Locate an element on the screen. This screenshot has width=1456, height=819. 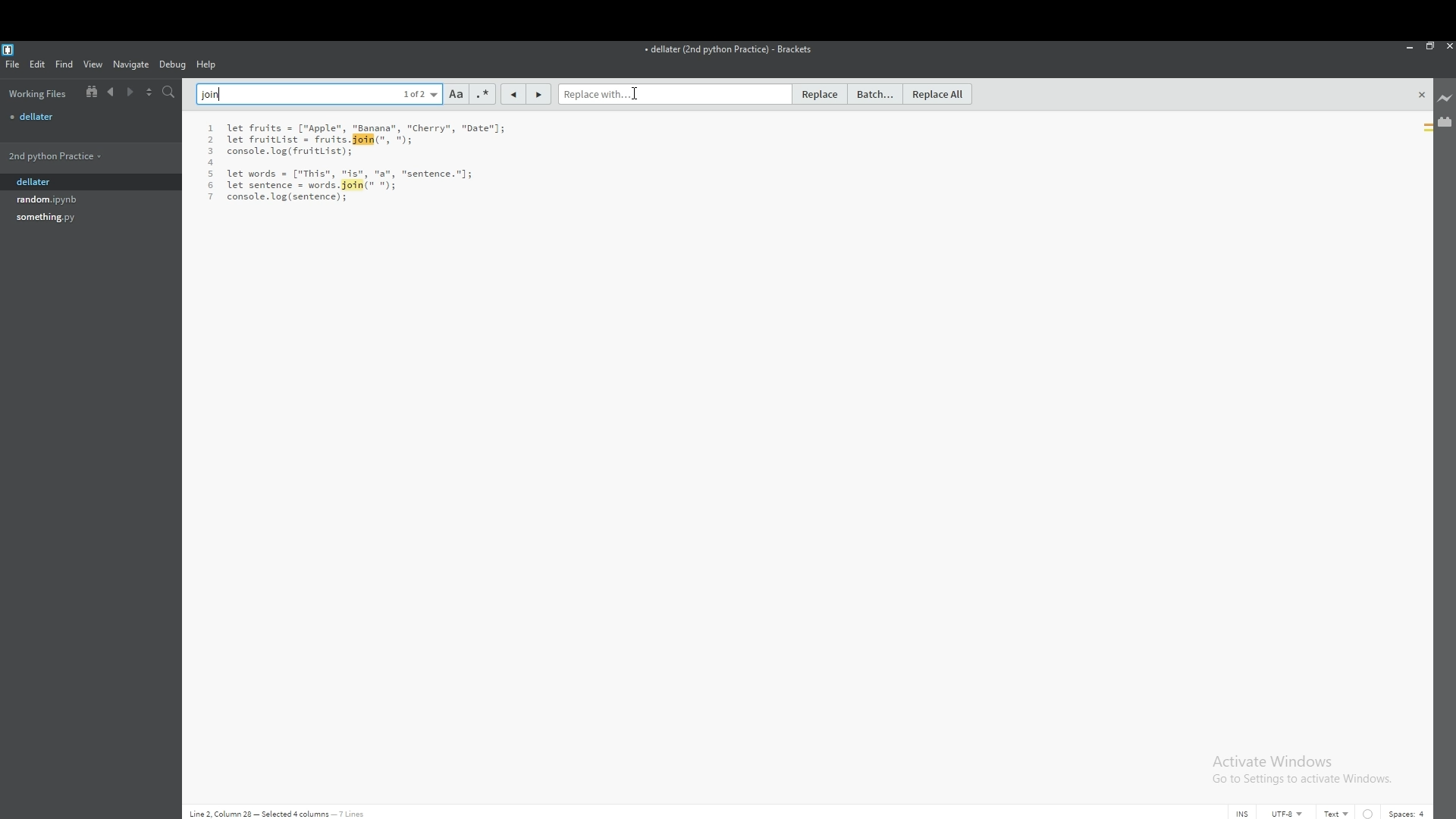
find is located at coordinates (65, 64).